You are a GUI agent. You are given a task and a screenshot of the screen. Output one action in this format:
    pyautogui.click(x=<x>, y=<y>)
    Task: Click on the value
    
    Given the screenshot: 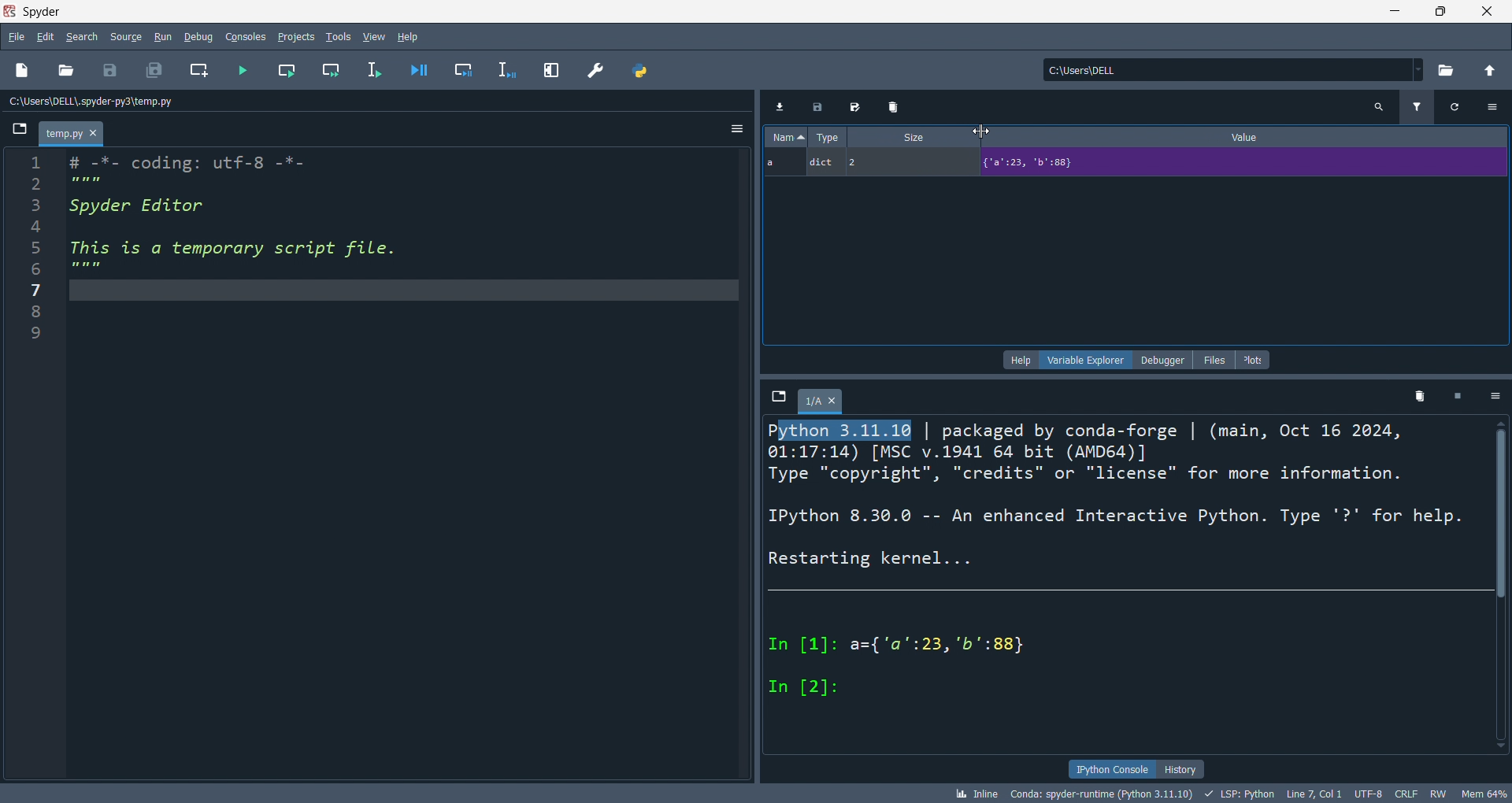 What is the action you would take?
    pyautogui.click(x=1254, y=139)
    